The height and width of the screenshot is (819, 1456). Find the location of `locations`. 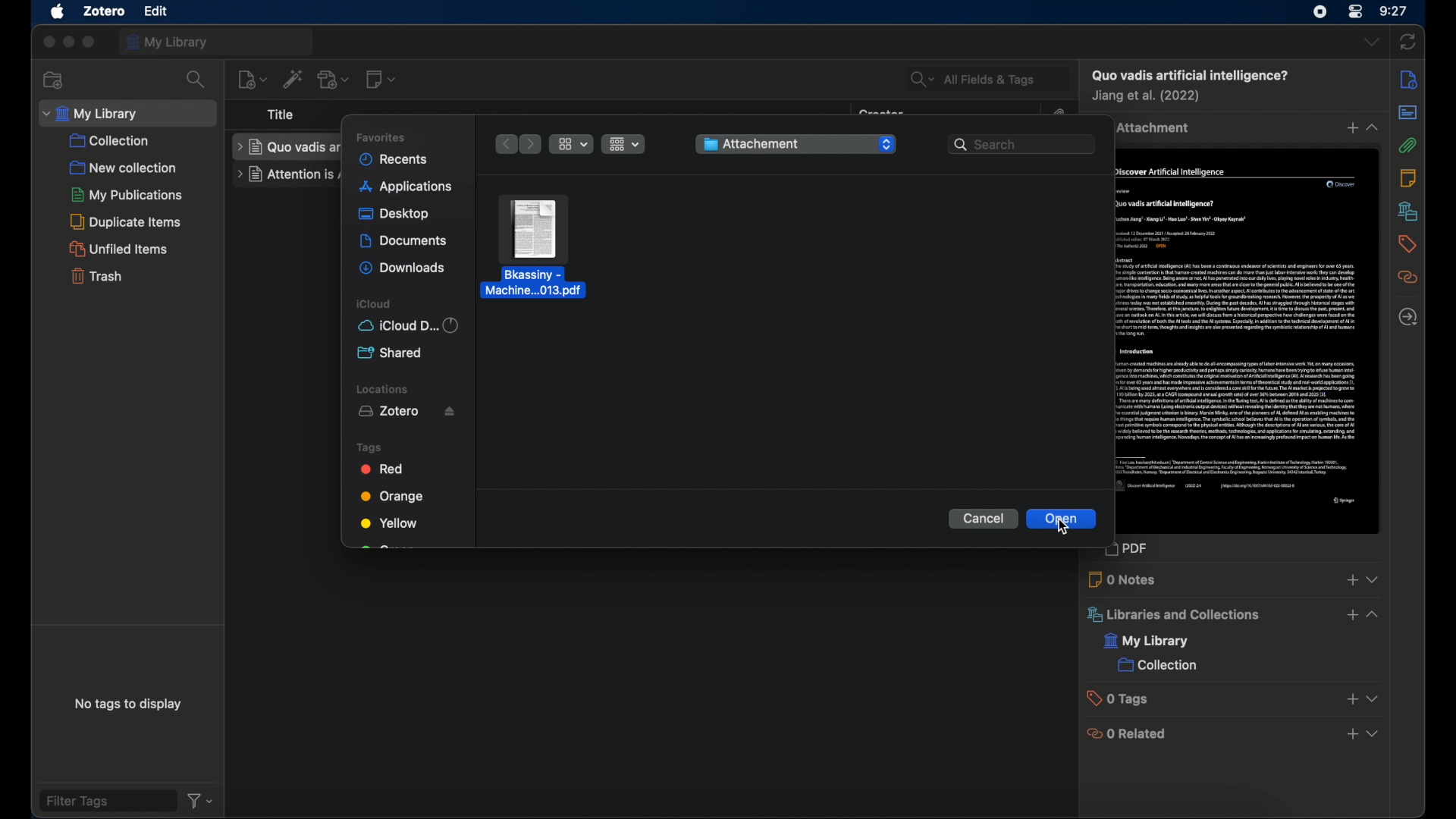

locations is located at coordinates (384, 389).